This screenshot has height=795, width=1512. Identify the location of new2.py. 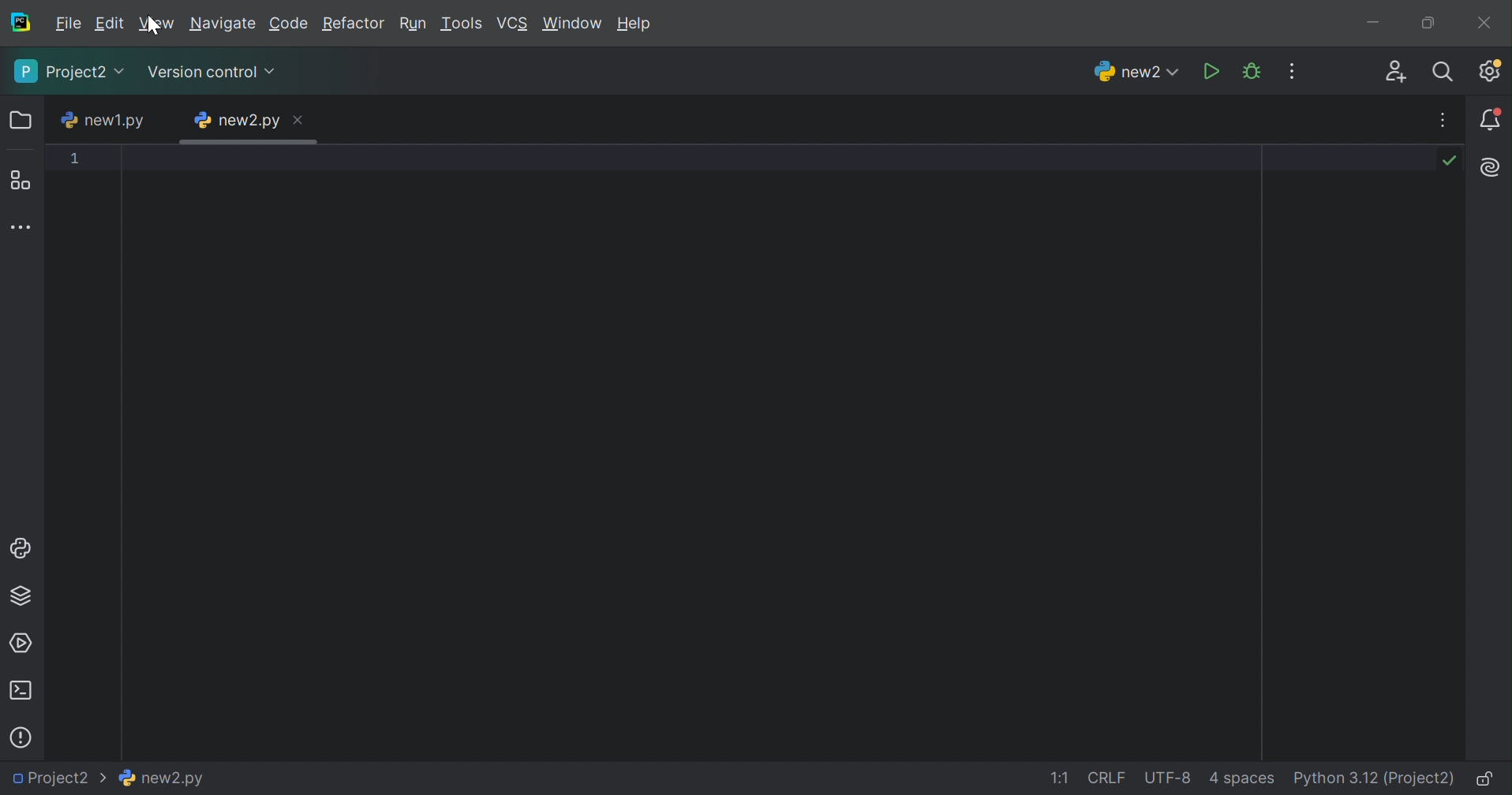
(239, 121).